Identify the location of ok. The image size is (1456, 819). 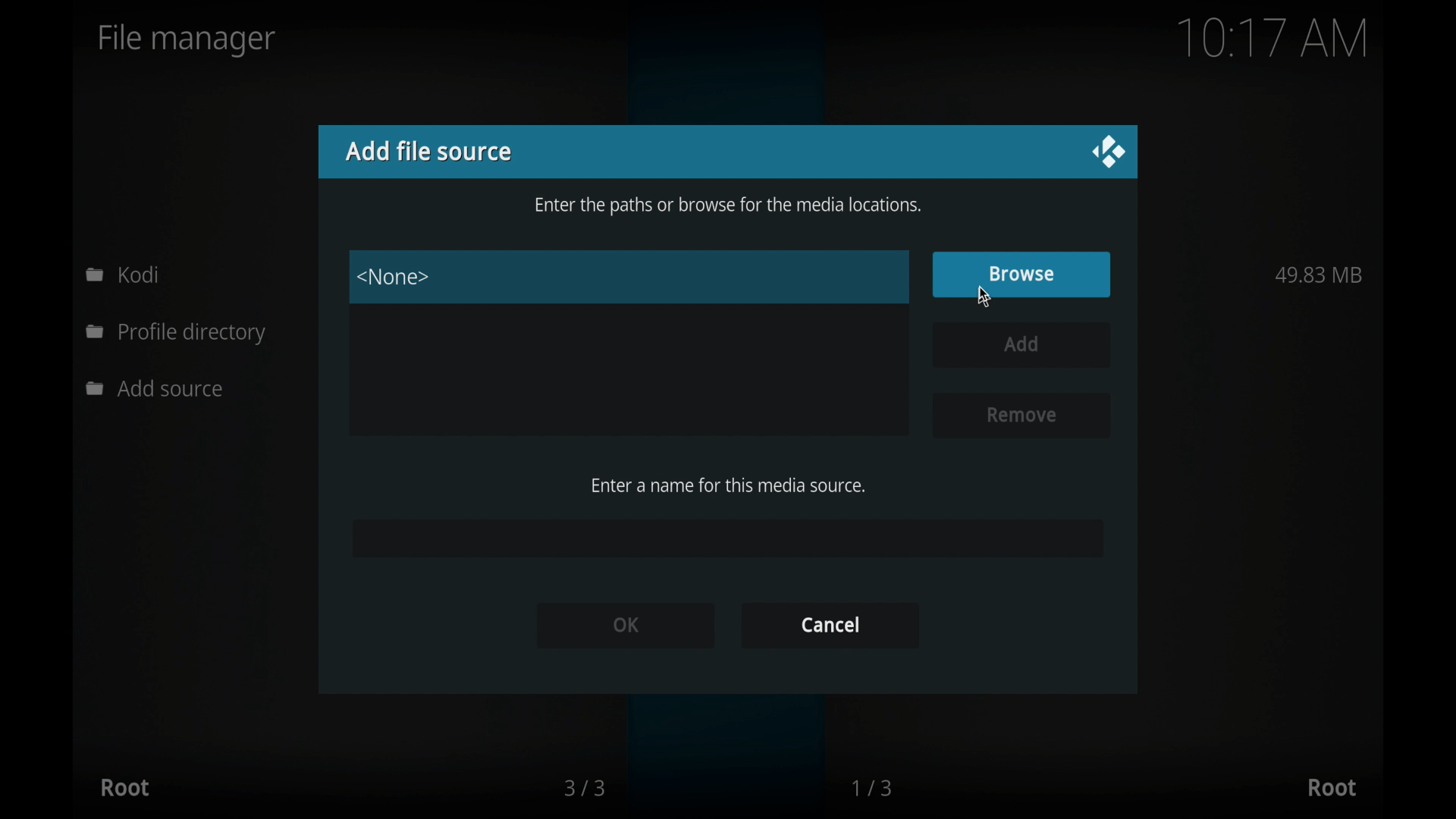
(627, 625).